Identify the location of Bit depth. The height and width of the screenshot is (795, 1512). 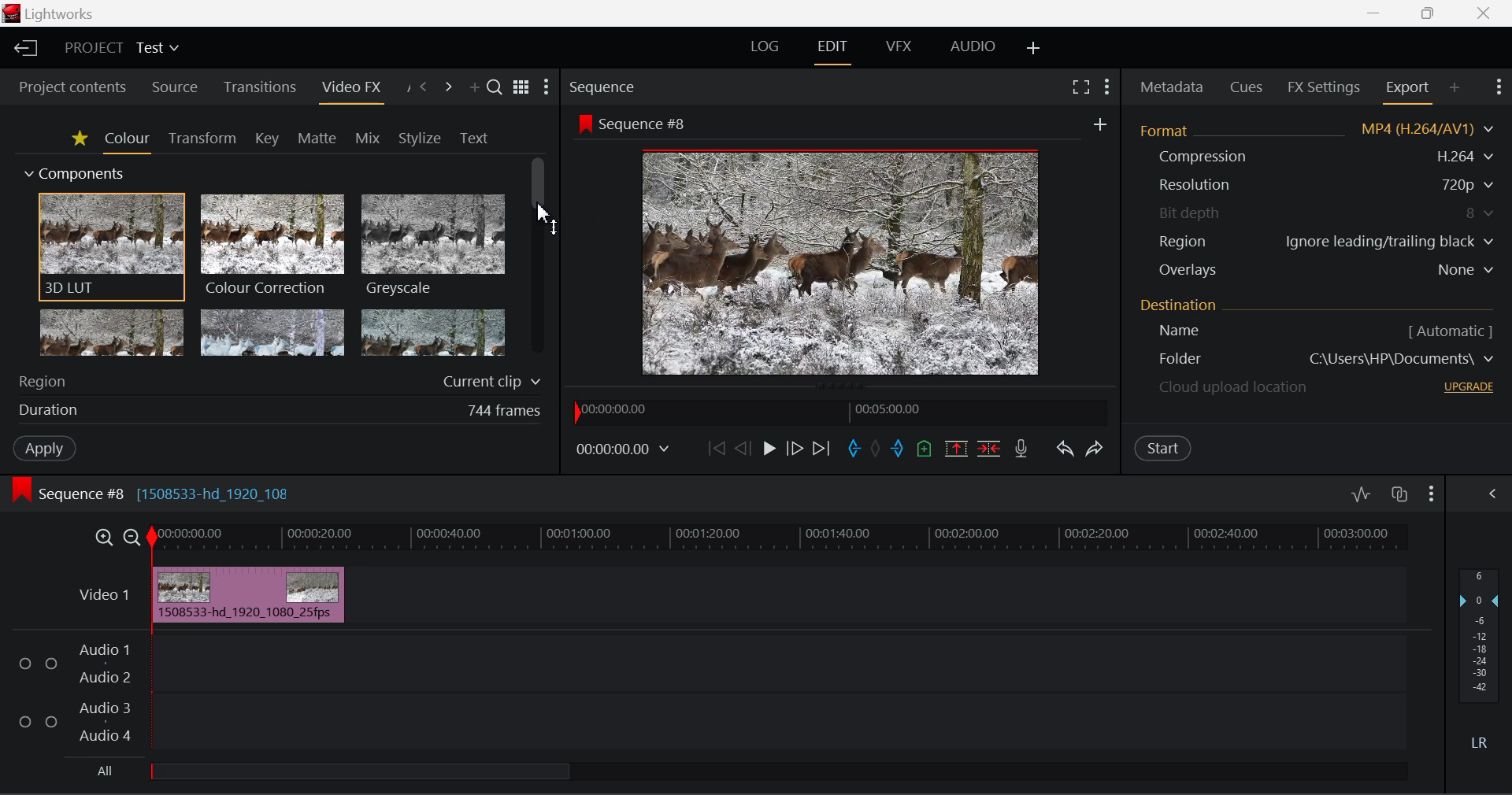
(1191, 210).